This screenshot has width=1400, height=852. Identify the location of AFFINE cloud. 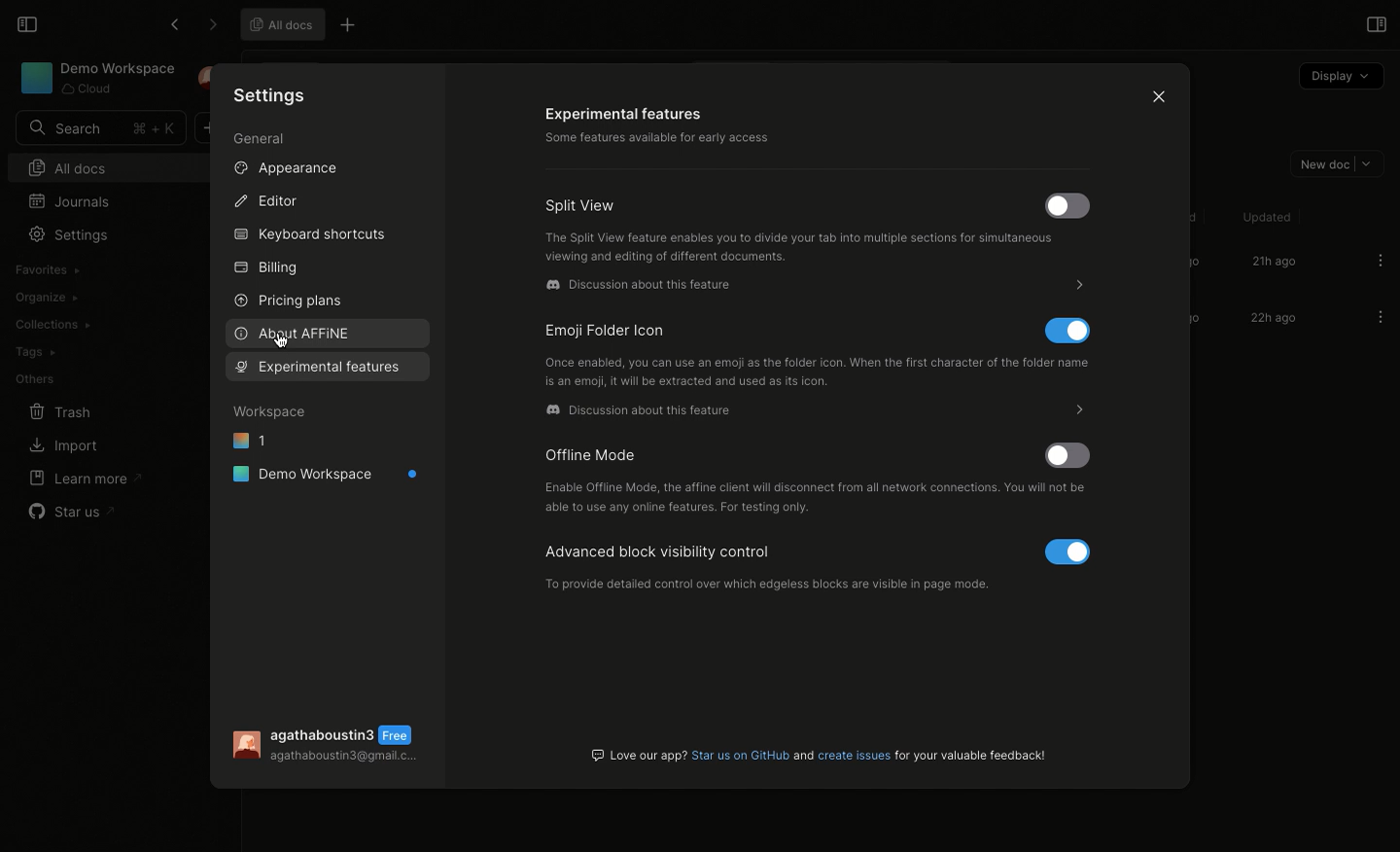
(646, 415).